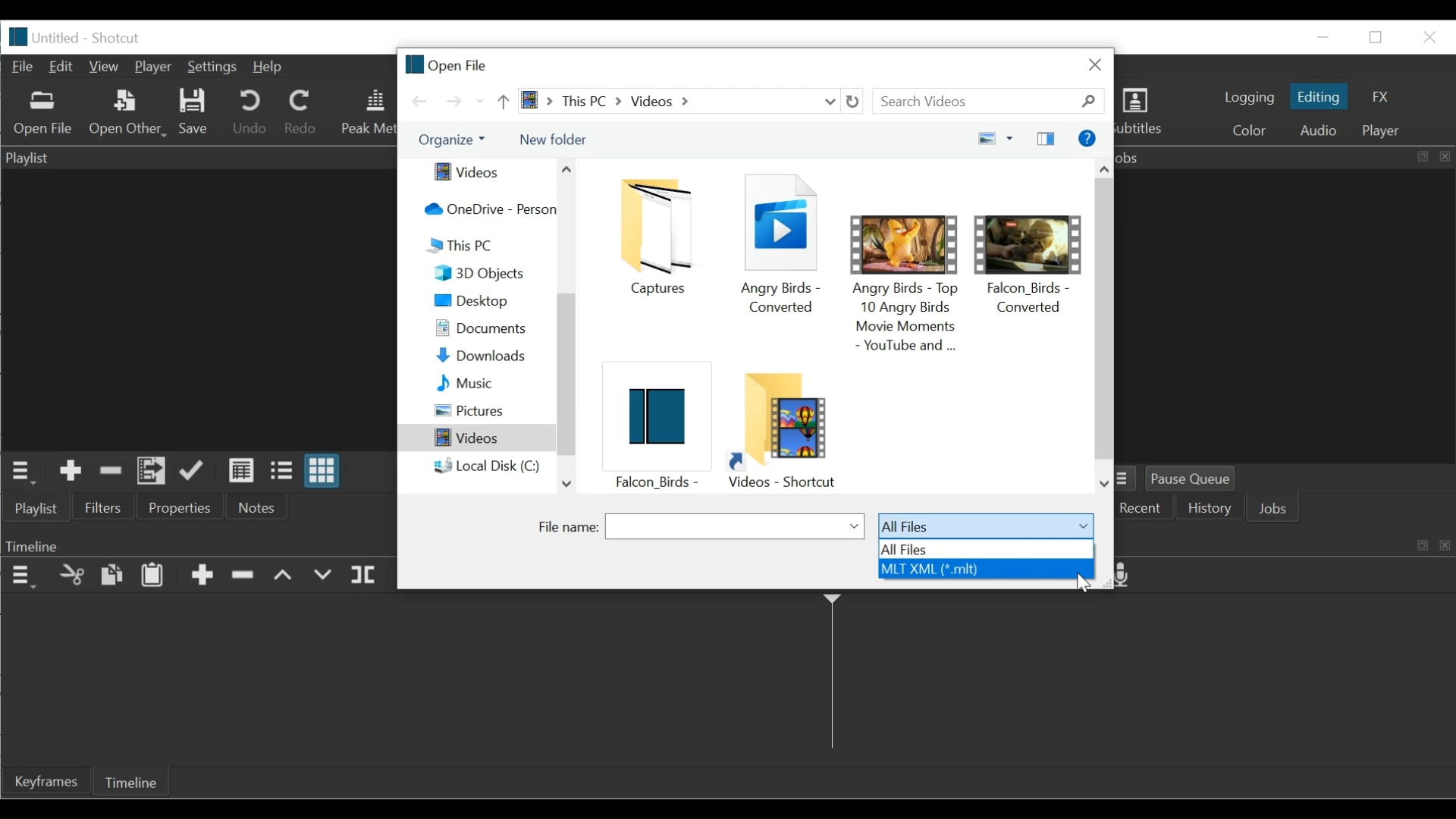 The width and height of the screenshot is (1456, 819). What do you see at coordinates (1320, 130) in the screenshot?
I see `Audio` at bounding box center [1320, 130].